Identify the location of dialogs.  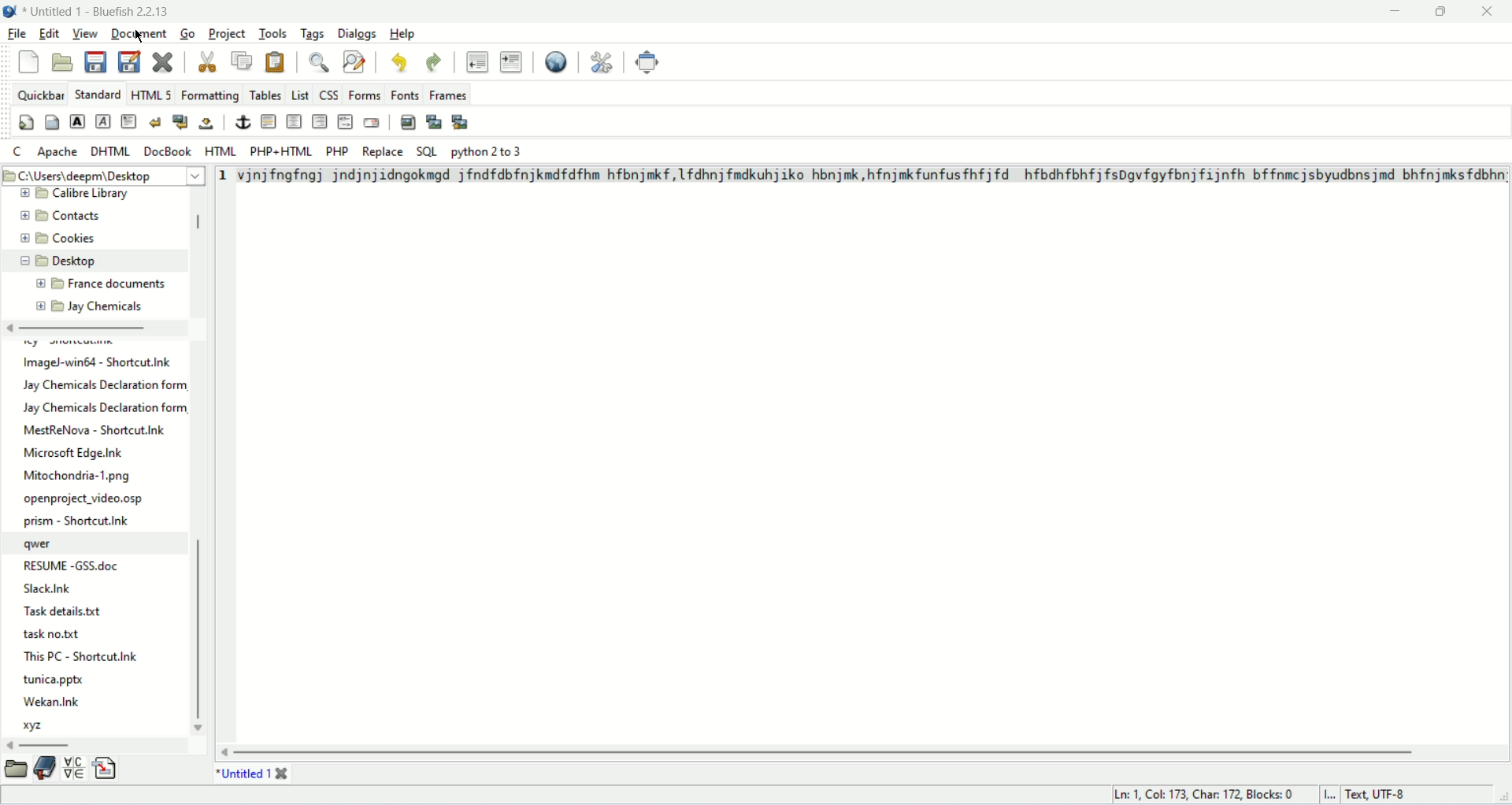
(357, 33).